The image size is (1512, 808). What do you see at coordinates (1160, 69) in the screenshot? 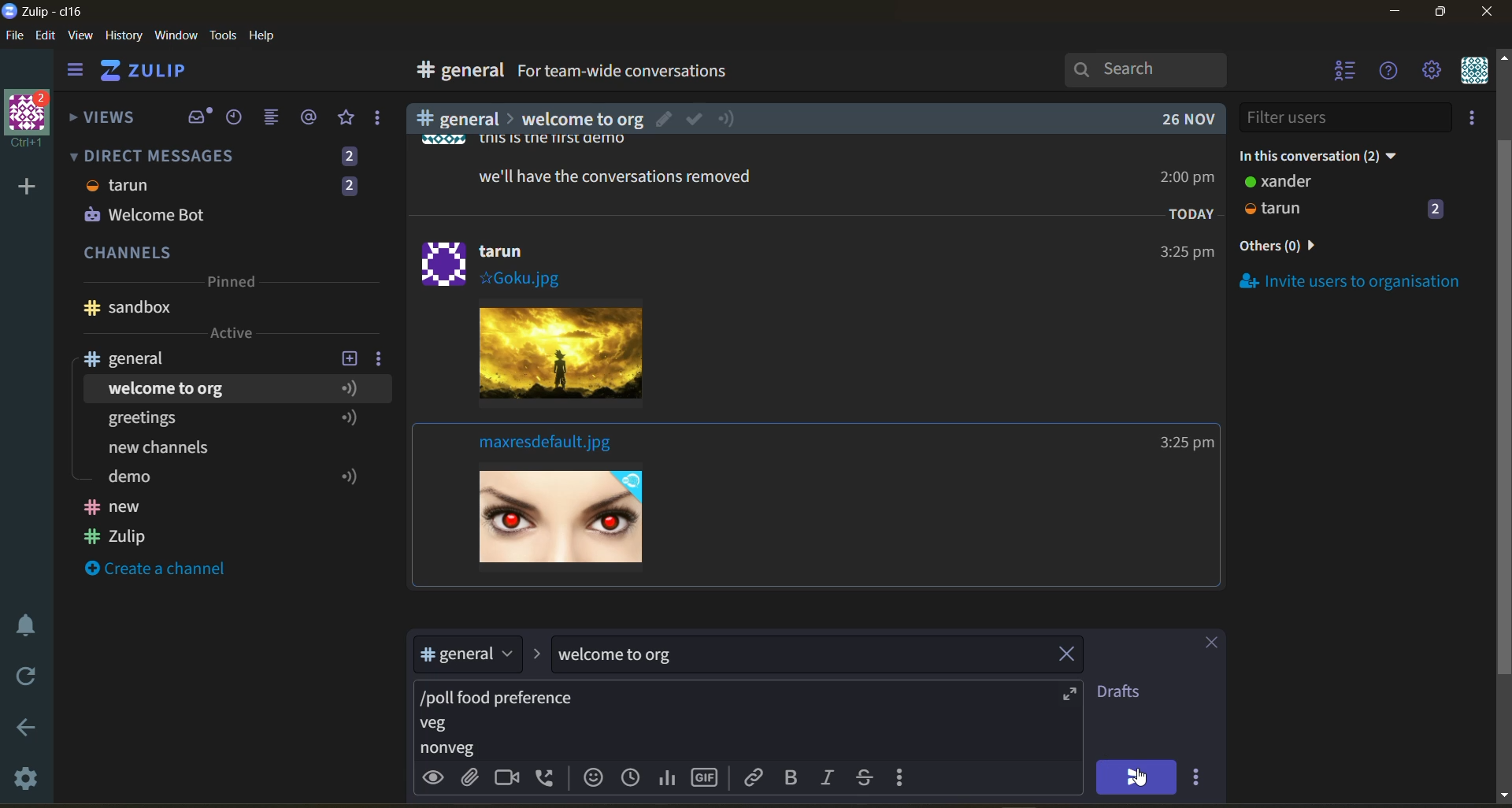
I see `search` at bounding box center [1160, 69].